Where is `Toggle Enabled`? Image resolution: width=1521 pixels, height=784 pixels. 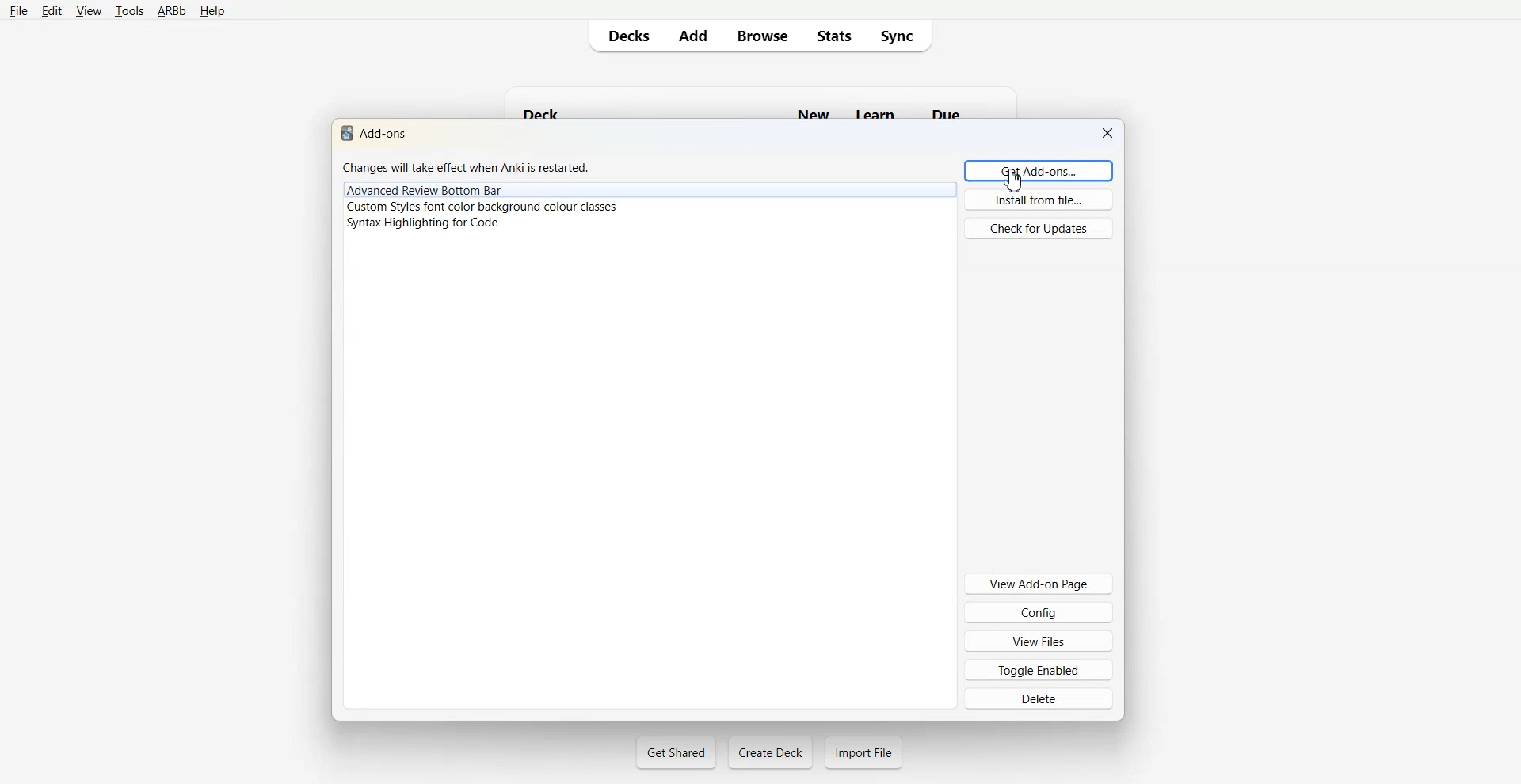 Toggle Enabled is located at coordinates (1039, 668).